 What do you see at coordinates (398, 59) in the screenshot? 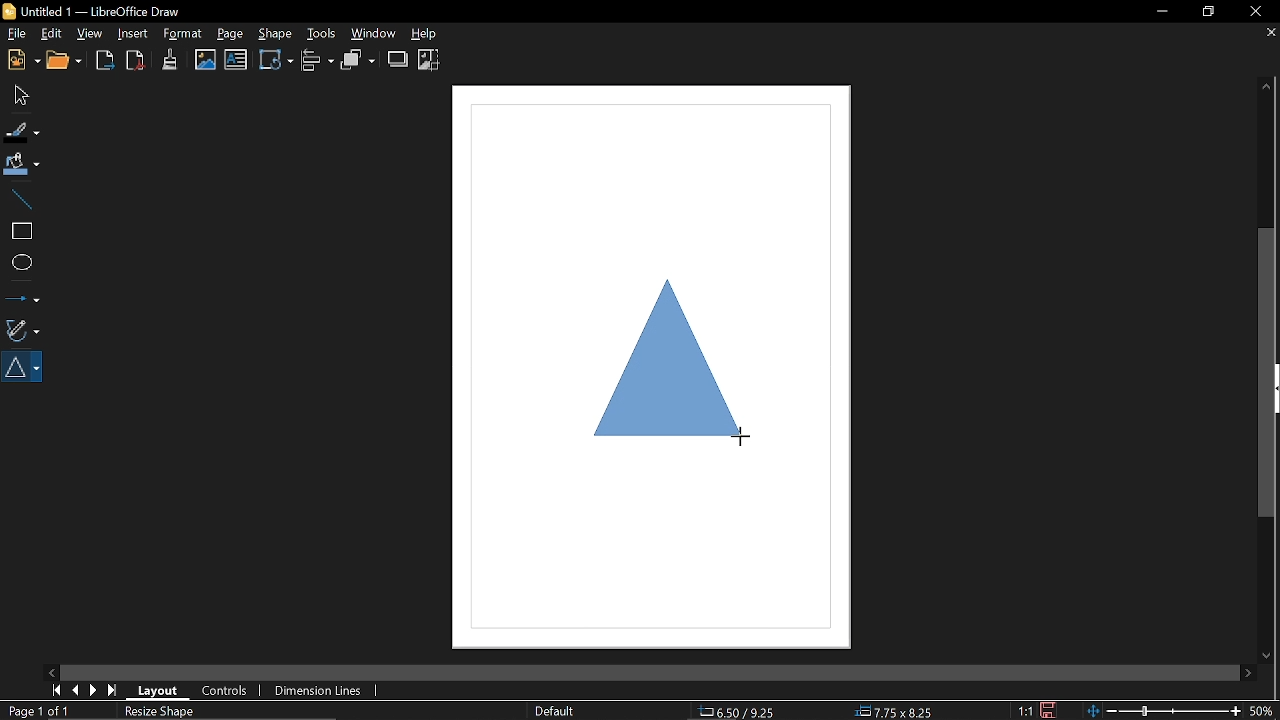
I see `Shadow` at bounding box center [398, 59].